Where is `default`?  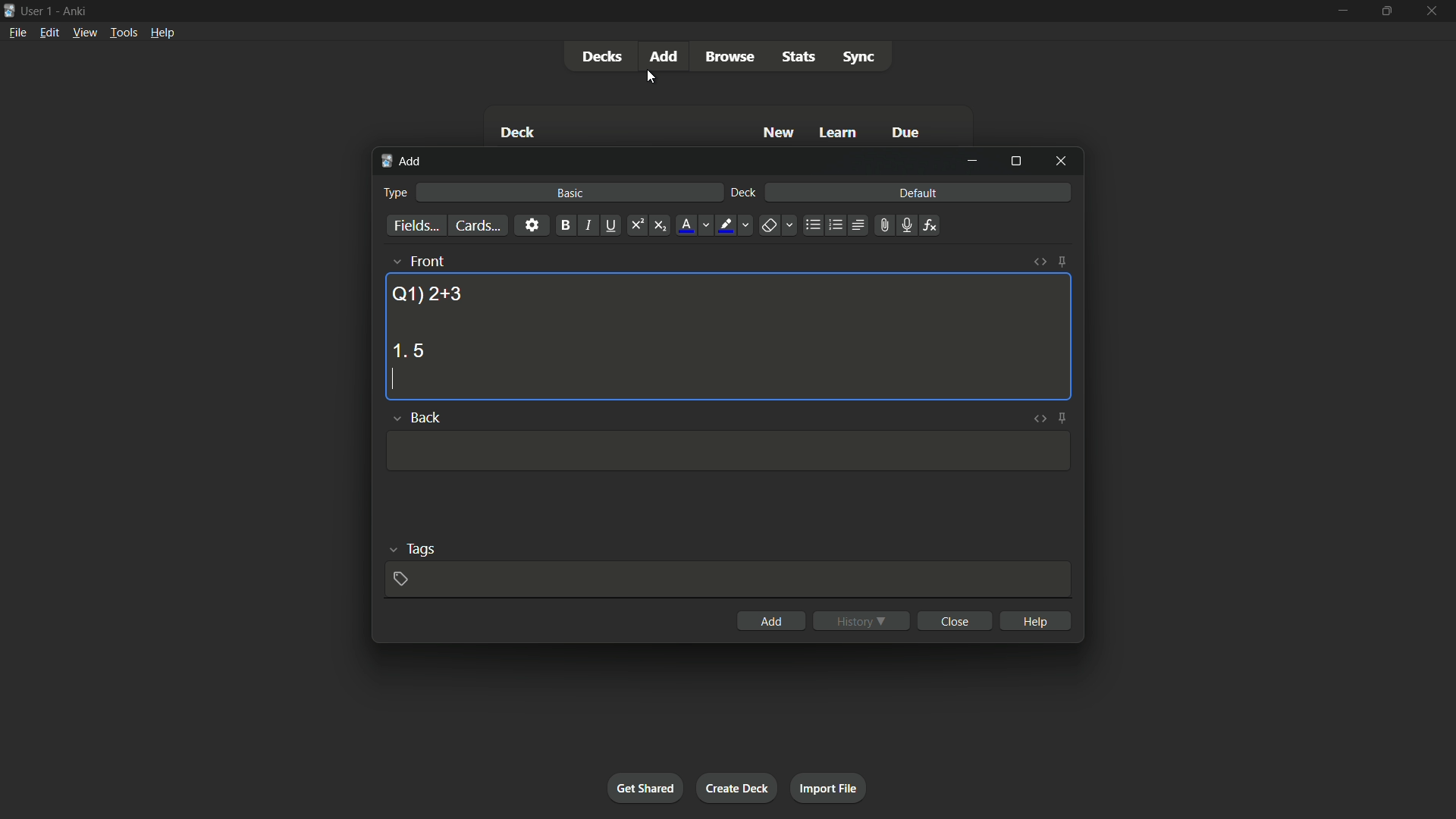
default is located at coordinates (918, 192).